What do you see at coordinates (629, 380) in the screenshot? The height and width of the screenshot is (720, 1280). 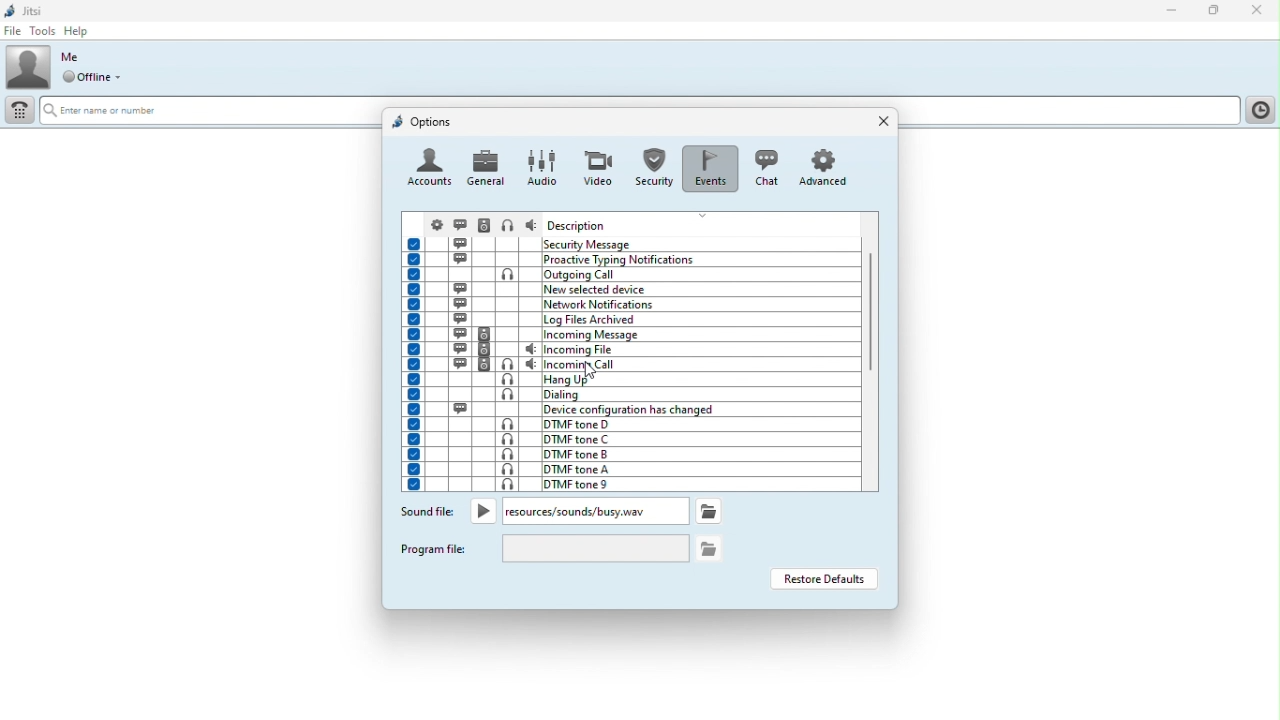 I see `hang up` at bounding box center [629, 380].